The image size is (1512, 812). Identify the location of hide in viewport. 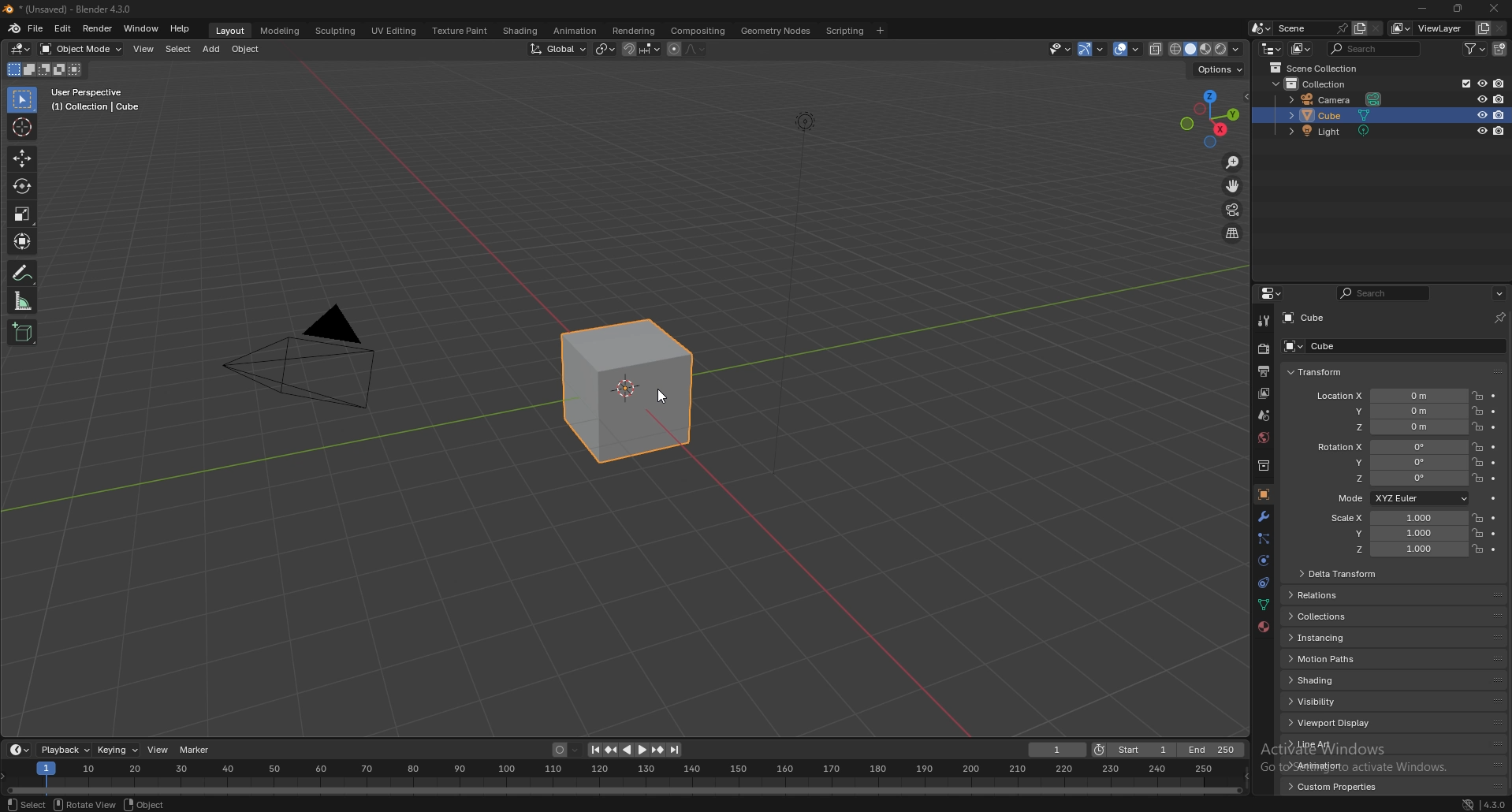
(1482, 99).